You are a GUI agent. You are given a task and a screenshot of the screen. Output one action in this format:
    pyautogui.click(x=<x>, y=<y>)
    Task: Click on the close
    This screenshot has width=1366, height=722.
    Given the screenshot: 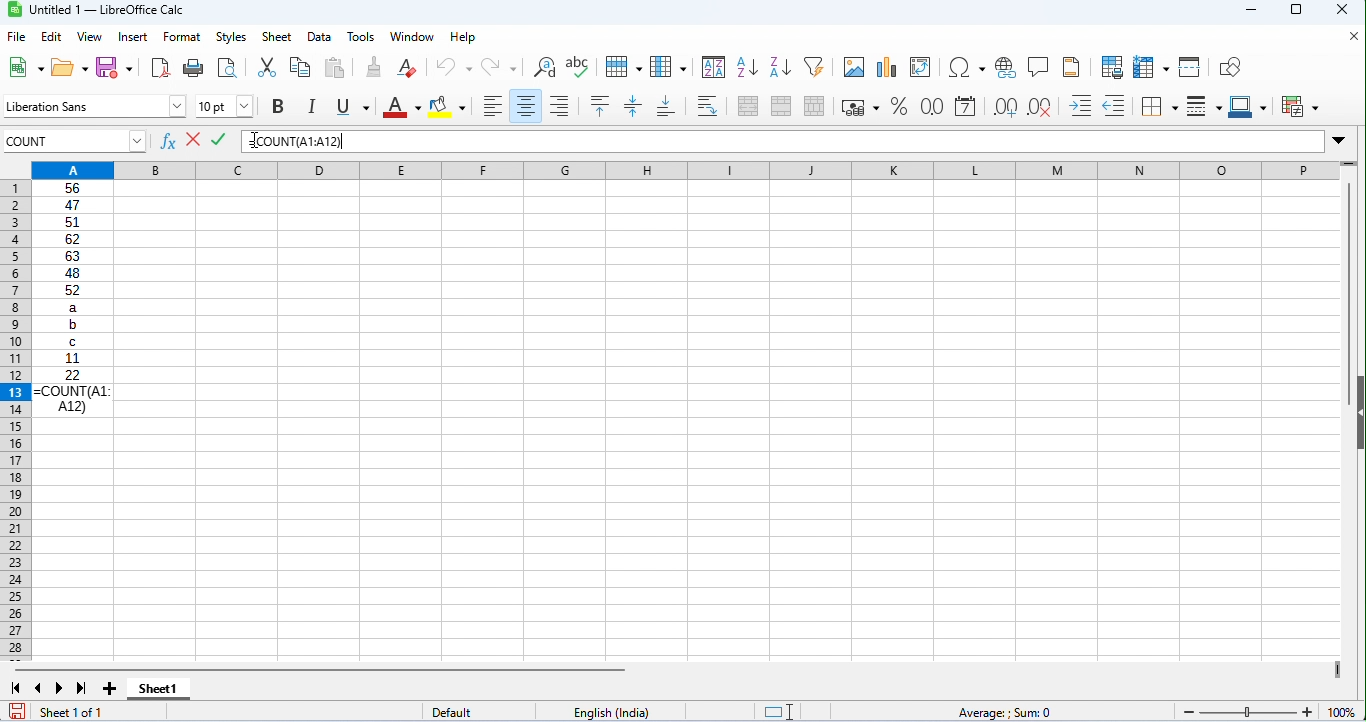 What is the action you would take?
    pyautogui.click(x=1344, y=11)
    